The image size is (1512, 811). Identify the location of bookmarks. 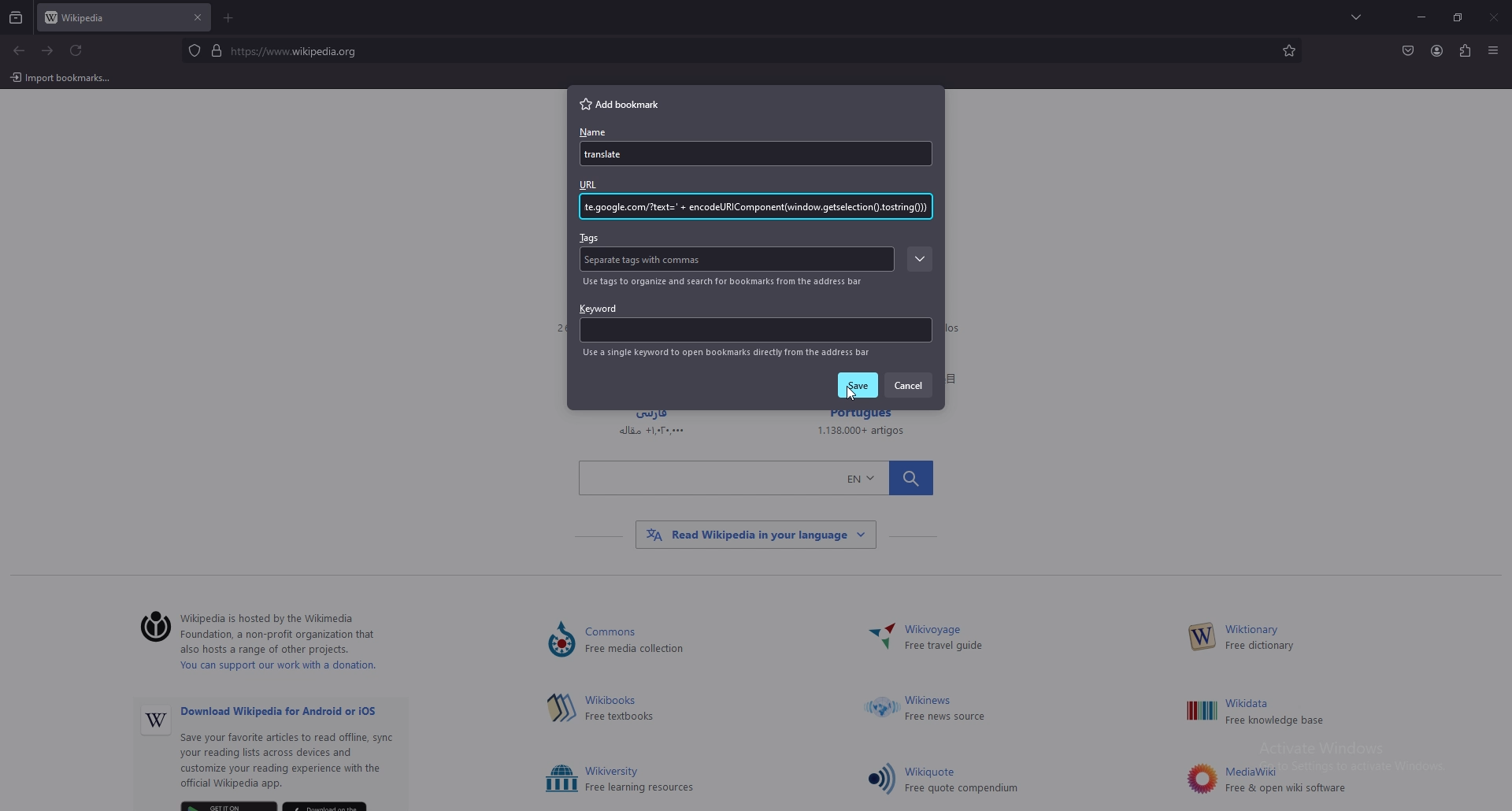
(1288, 50).